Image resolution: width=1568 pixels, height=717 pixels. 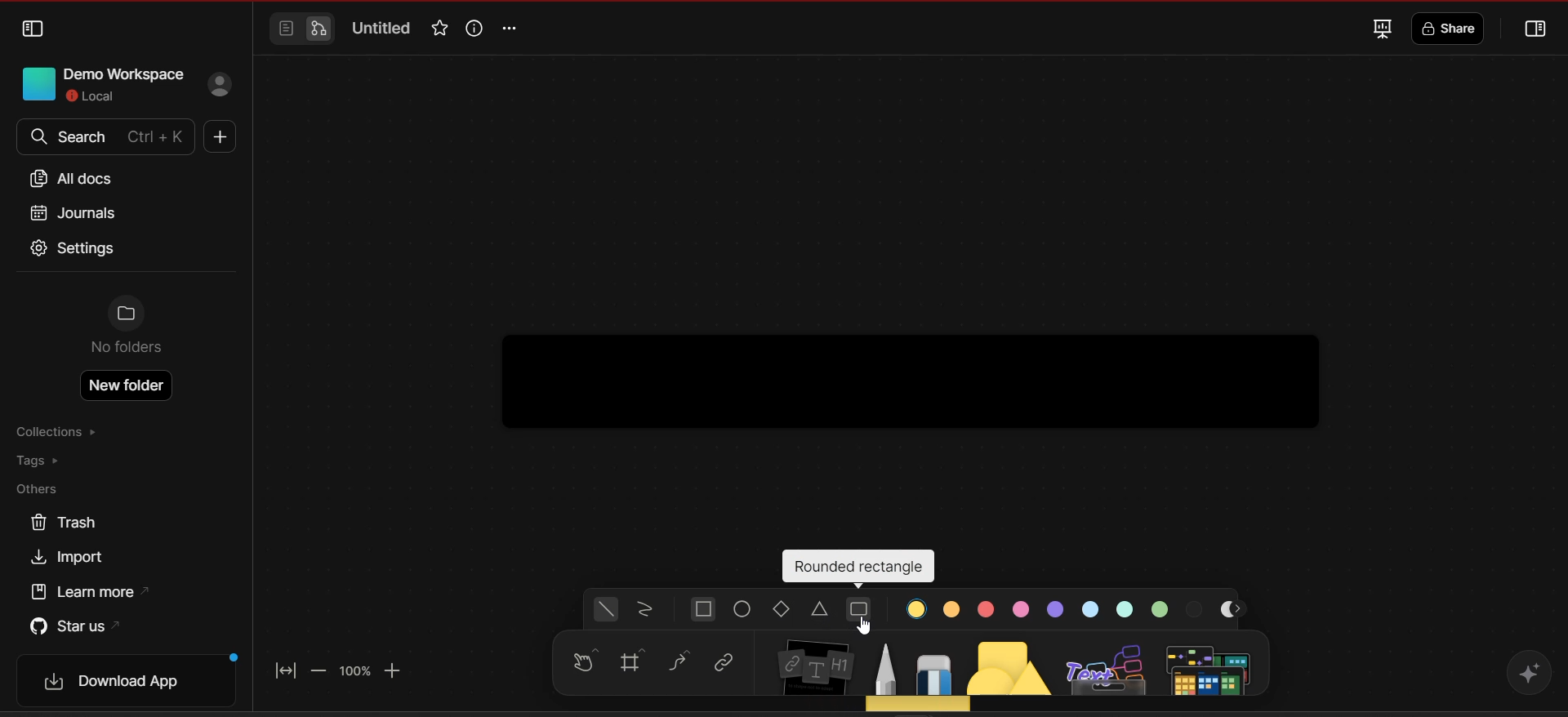 I want to click on Untitled, so click(x=382, y=29).